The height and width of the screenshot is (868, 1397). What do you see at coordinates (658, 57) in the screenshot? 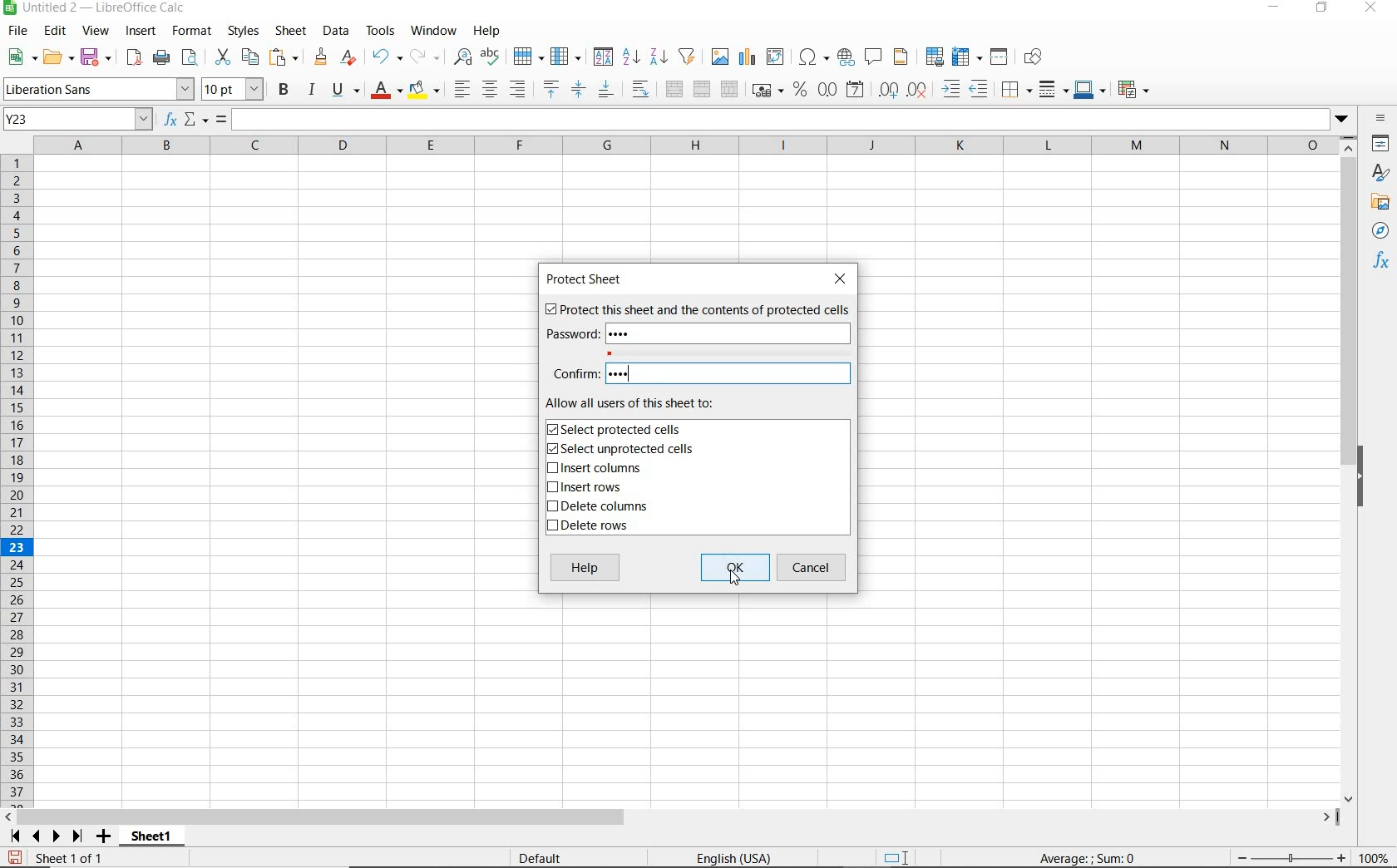
I see `SORT DESCENDING` at bounding box center [658, 57].